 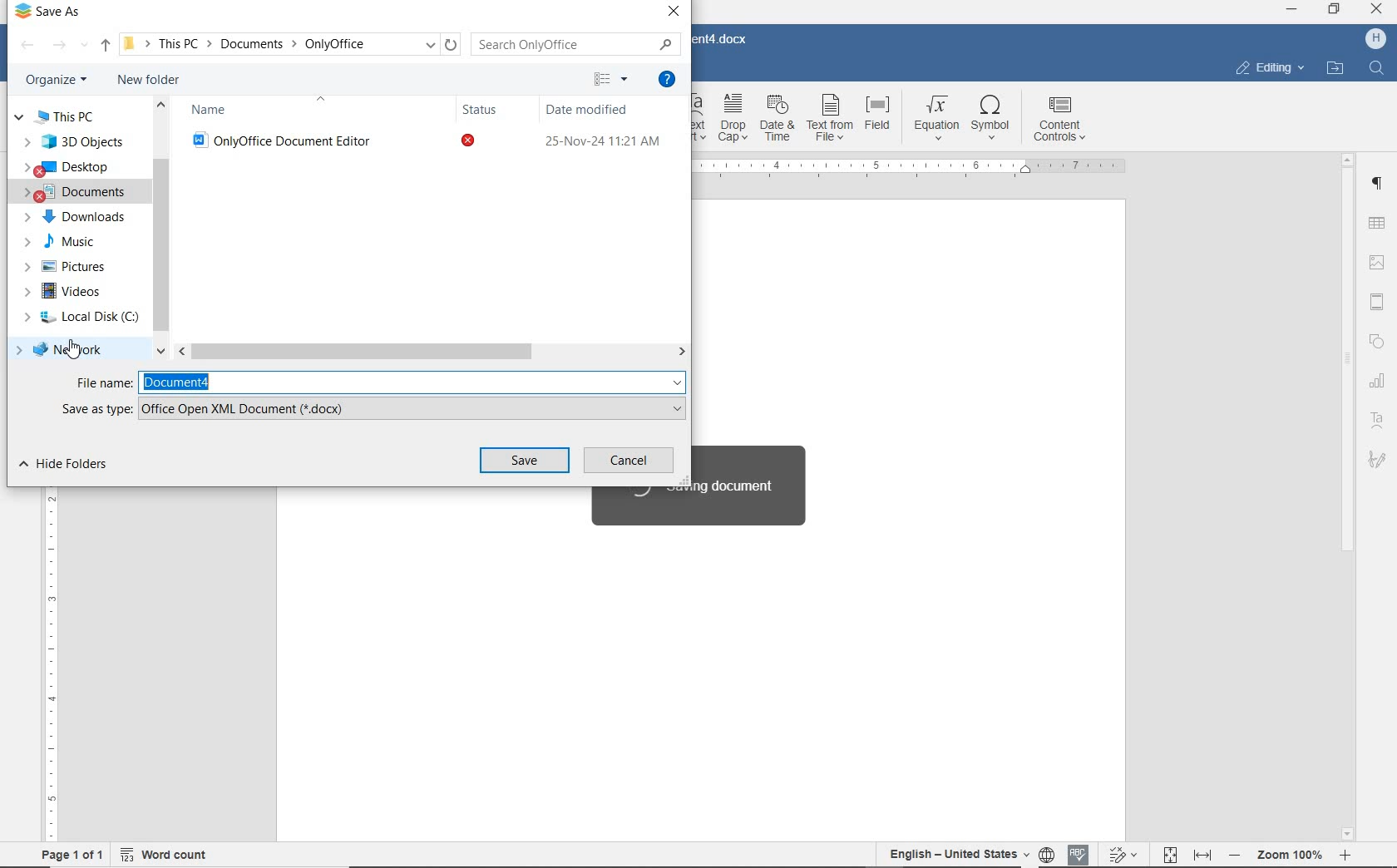 What do you see at coordinates (452, 50) in the screenshot?
I see `refresh` at bounding box center [452, 50].